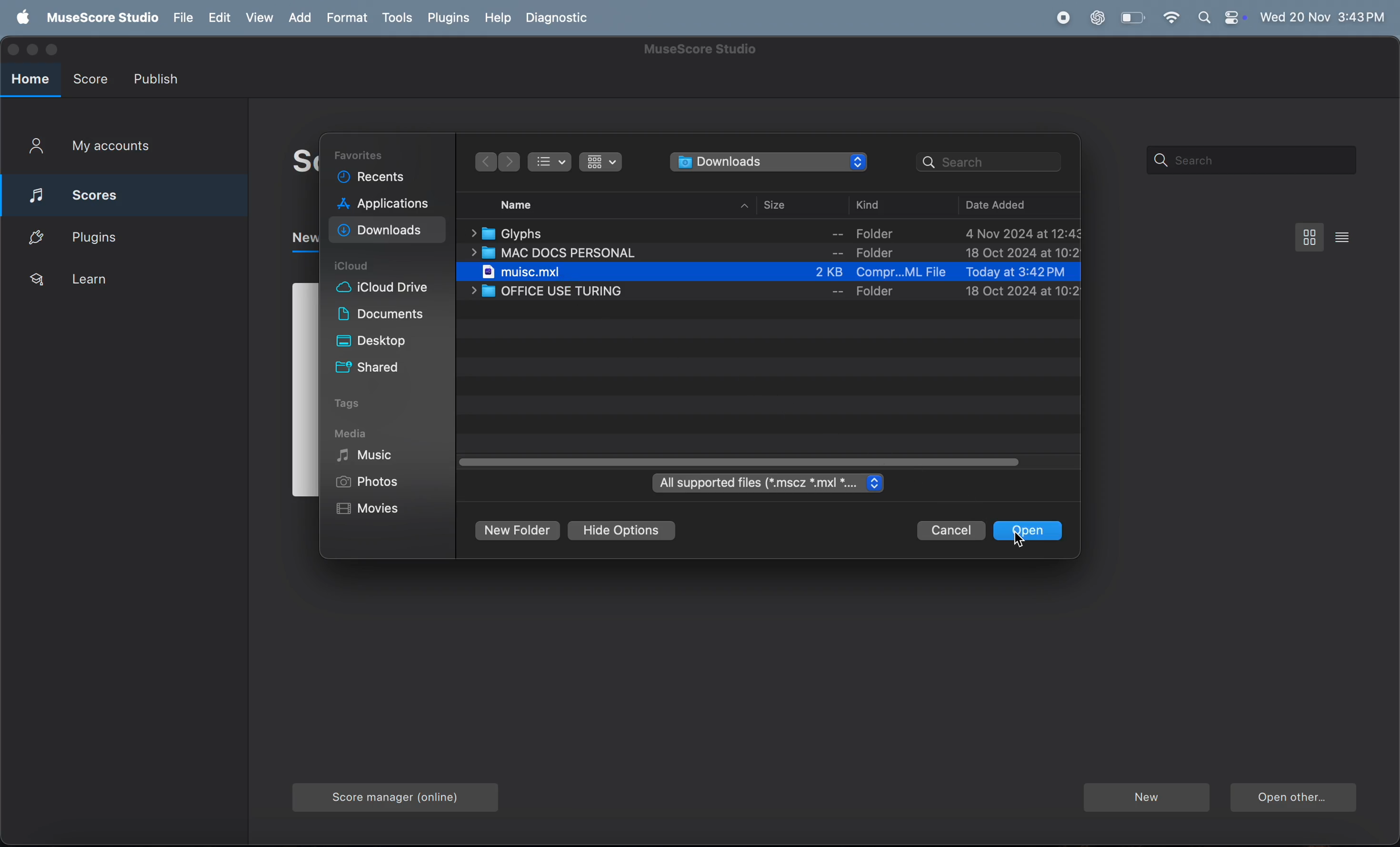  I want to click on open, so click(1034, 530).